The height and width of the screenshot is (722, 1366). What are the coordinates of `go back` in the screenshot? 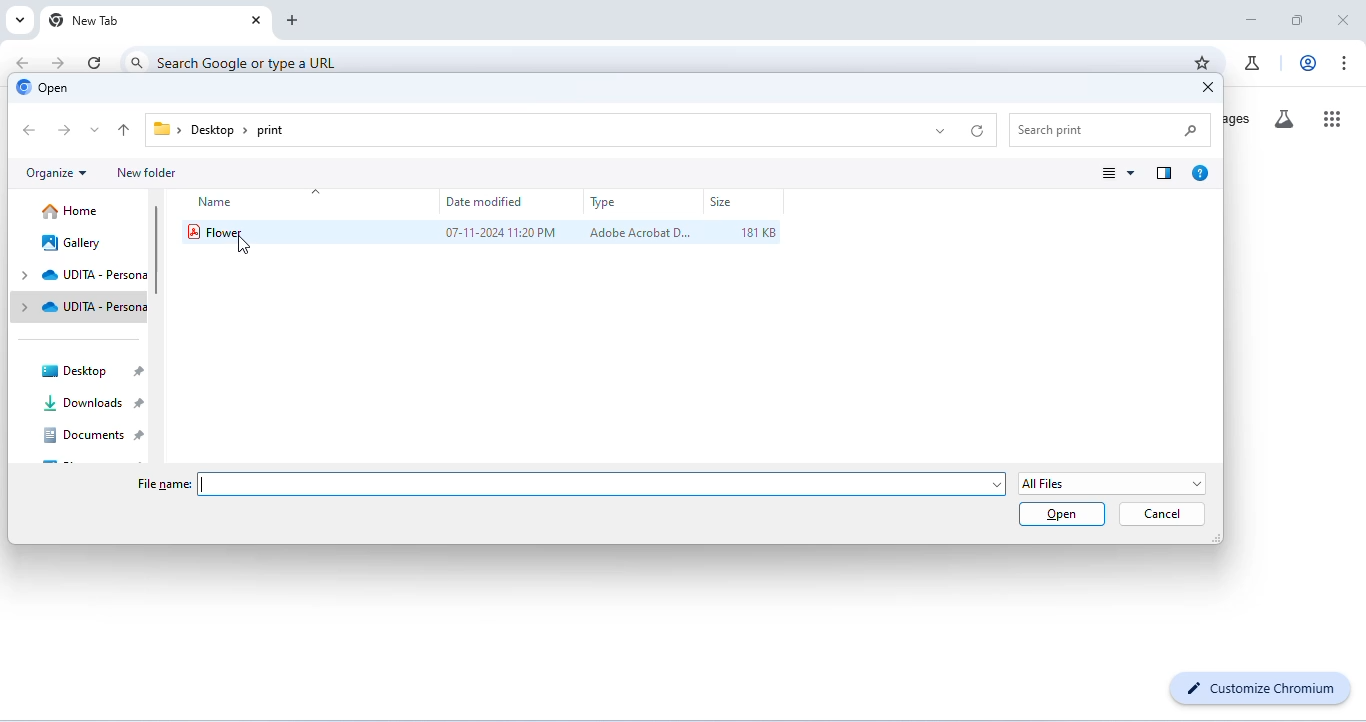 It's located at (23, 62).